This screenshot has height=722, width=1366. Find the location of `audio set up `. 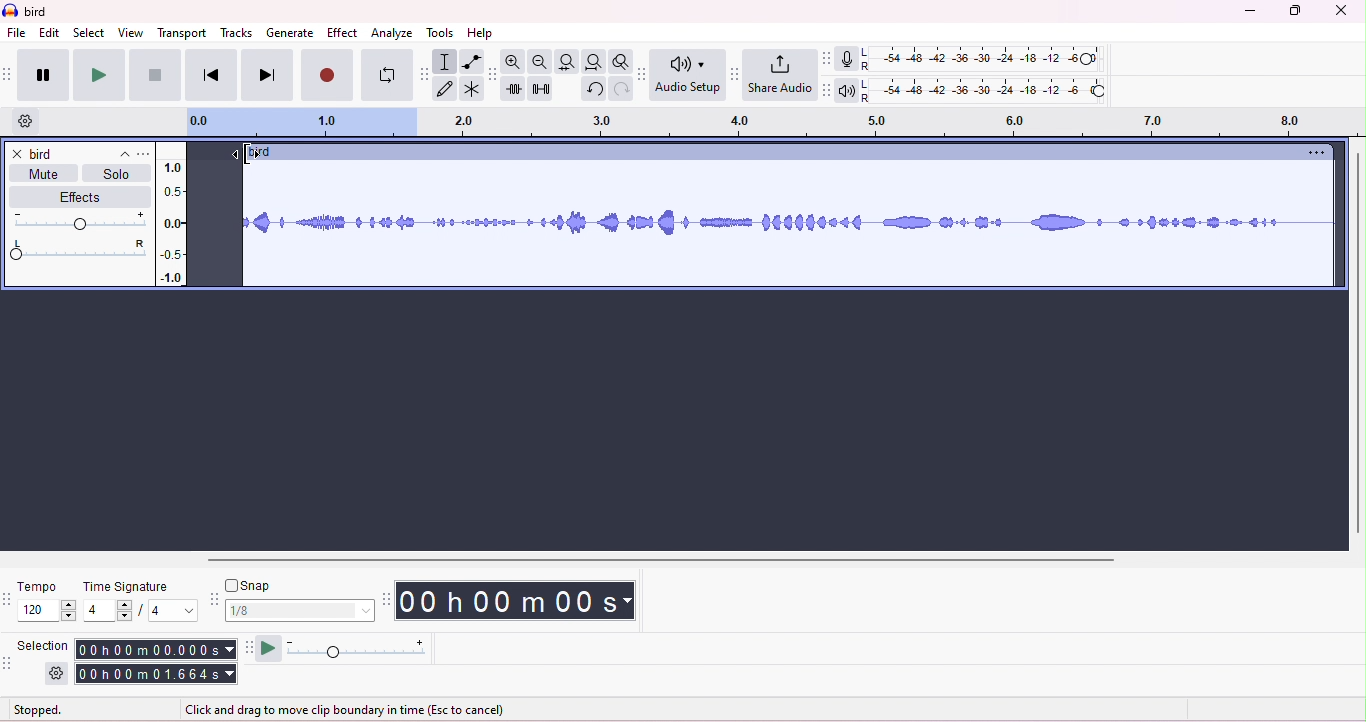

audio set up  is located at coordinates (689, 76).